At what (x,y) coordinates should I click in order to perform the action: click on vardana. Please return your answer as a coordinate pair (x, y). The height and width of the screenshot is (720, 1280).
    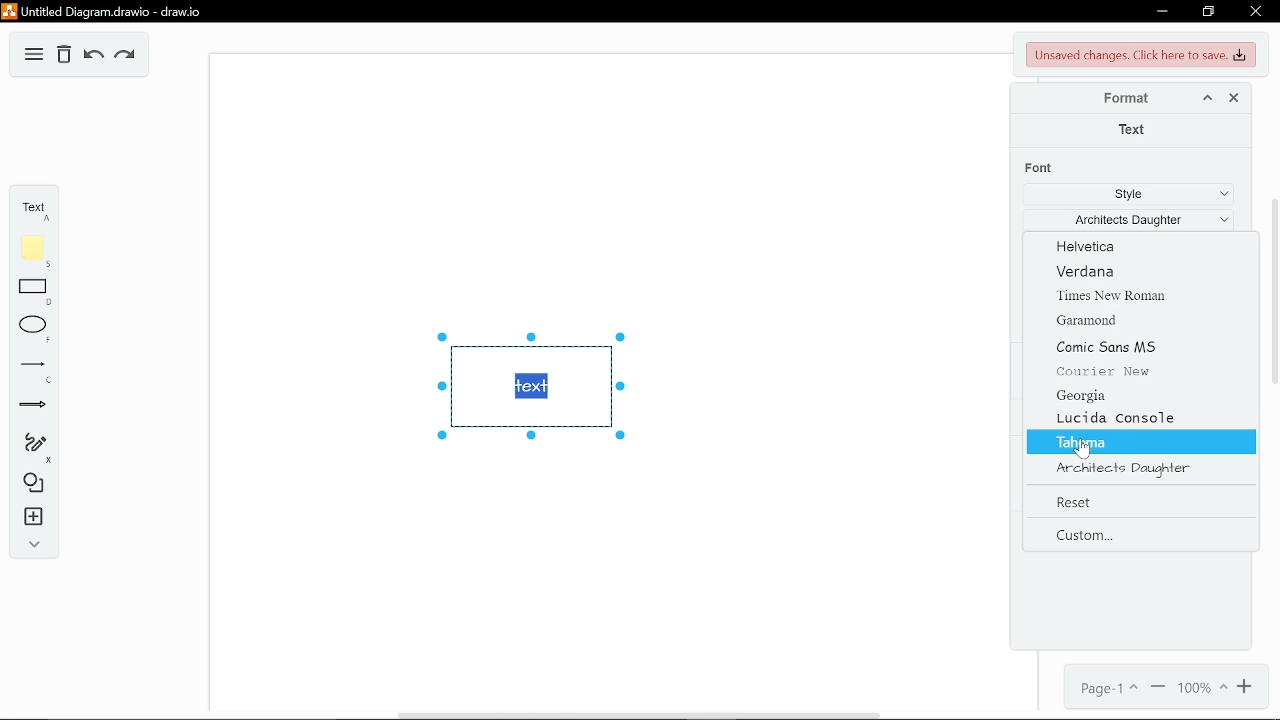
    Looking at the image, I should click on (1130, 272).